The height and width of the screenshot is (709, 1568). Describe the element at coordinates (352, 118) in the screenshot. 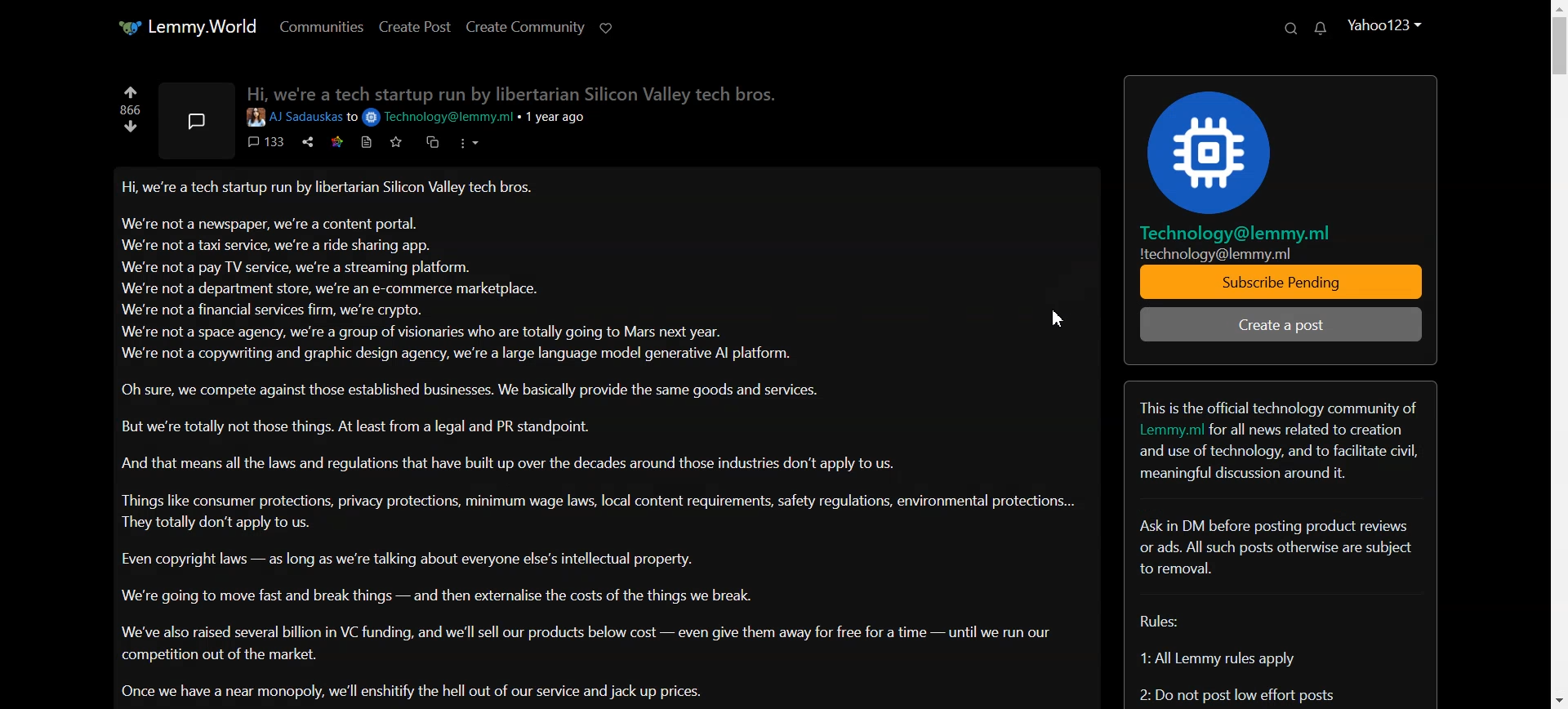

I see `to` at that location.